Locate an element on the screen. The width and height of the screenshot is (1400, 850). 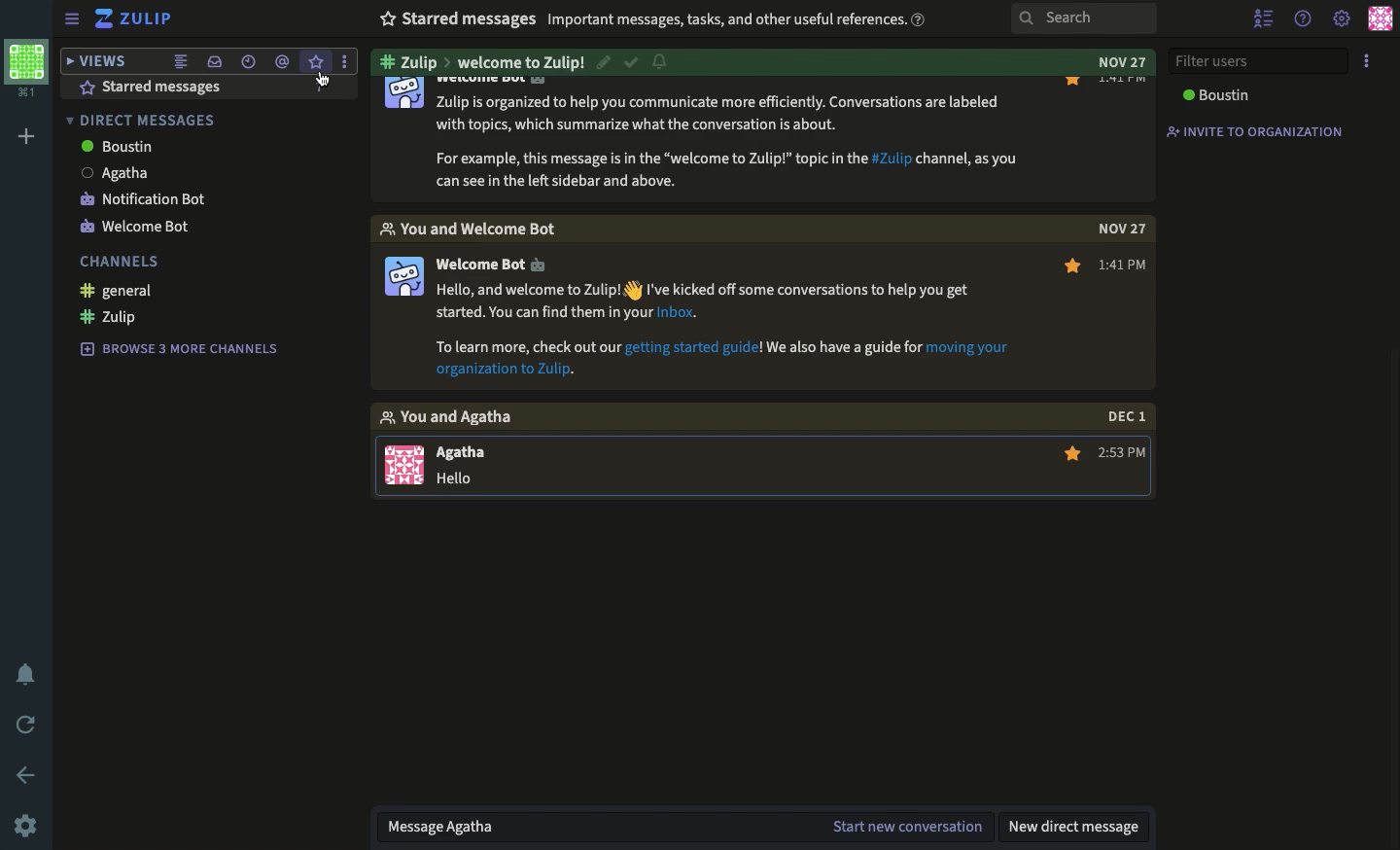
you and Agatha is located at coordinates (461, 418).